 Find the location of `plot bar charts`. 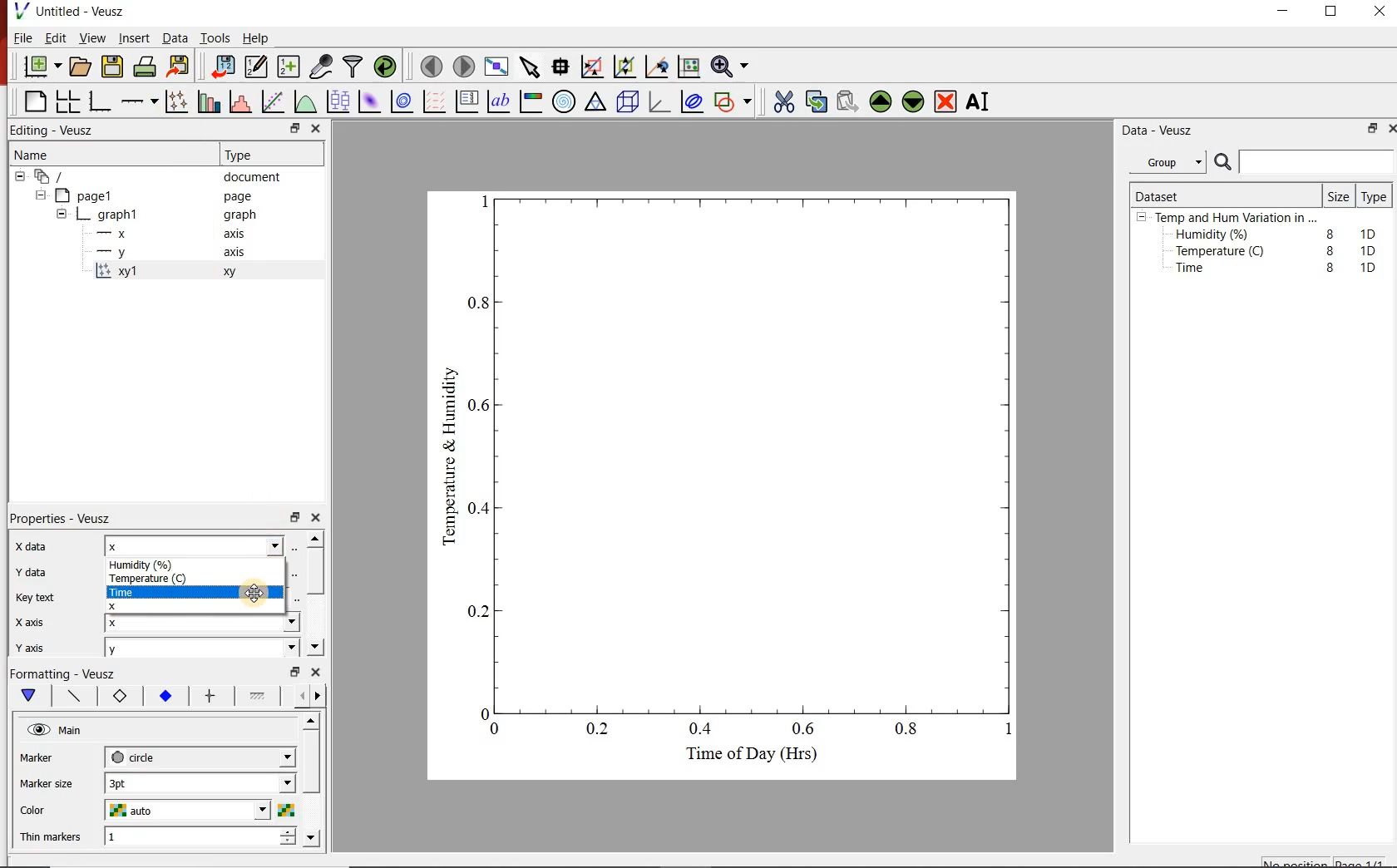

plot bar charts is located at coordinates (210, 99).